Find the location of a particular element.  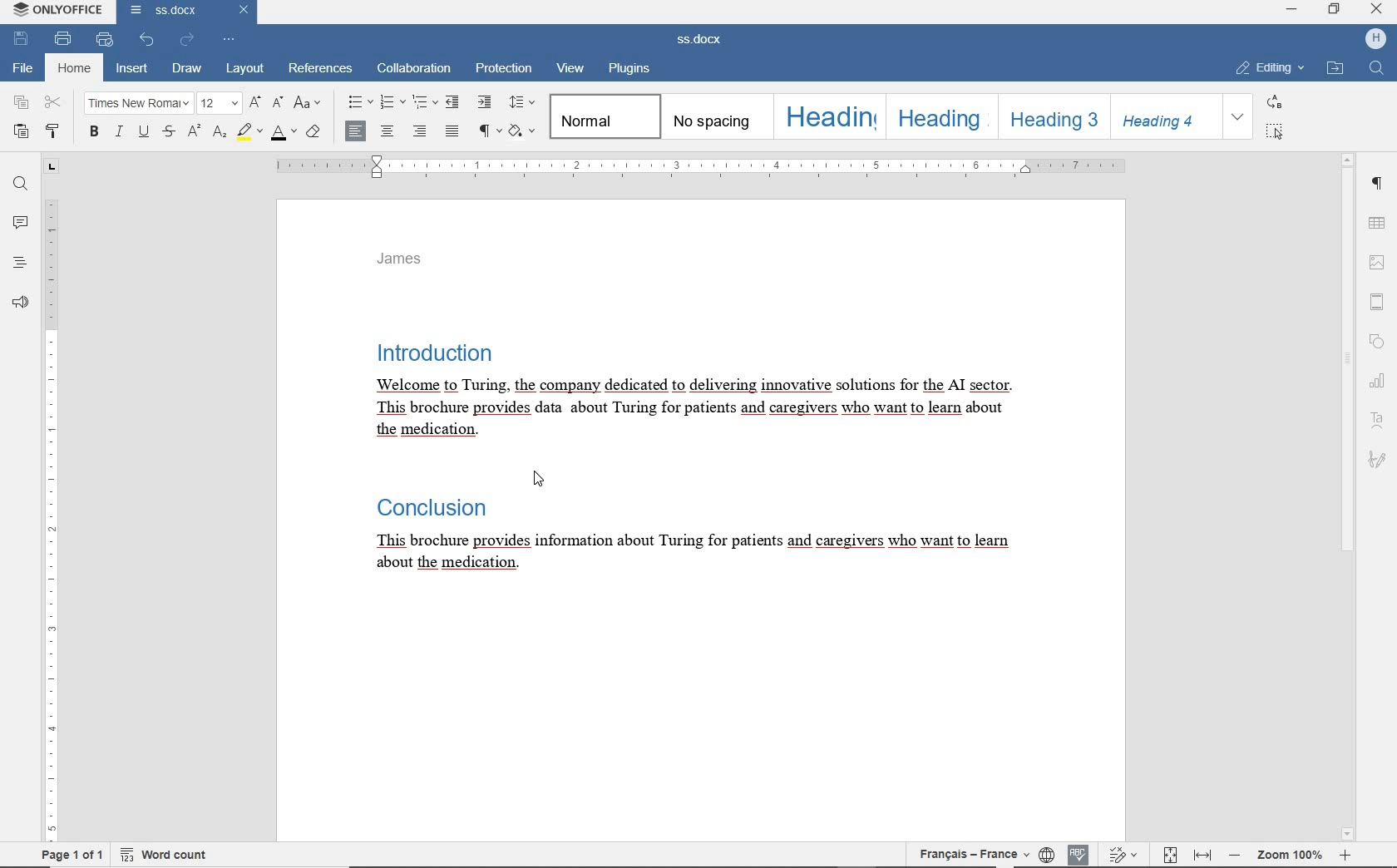

RULER is located at coordinates (47, 519).